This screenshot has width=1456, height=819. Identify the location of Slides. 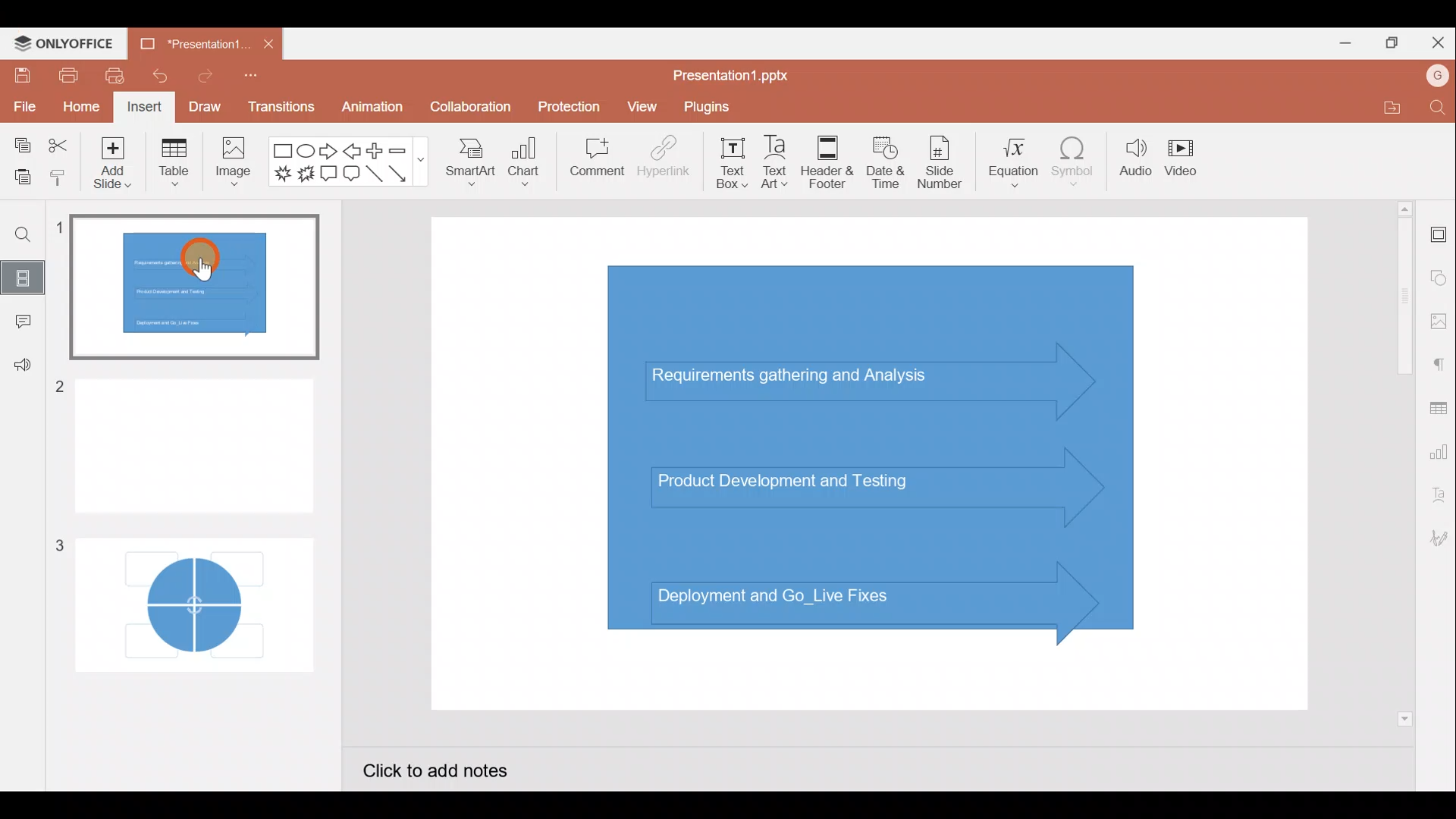
(27, 275).